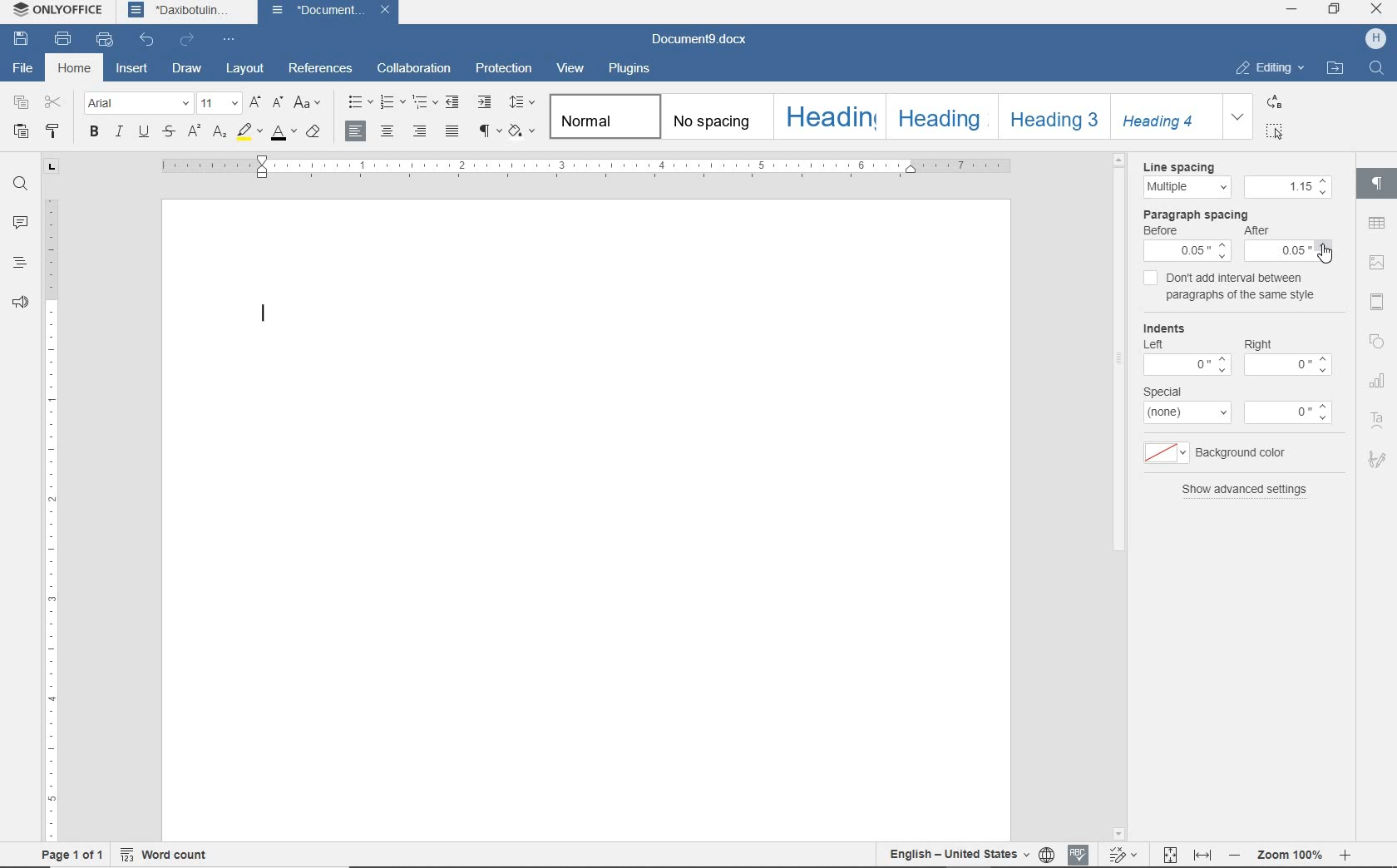 The image size is (1397, 868). I want to click on decrease indent, so click(452, 104).